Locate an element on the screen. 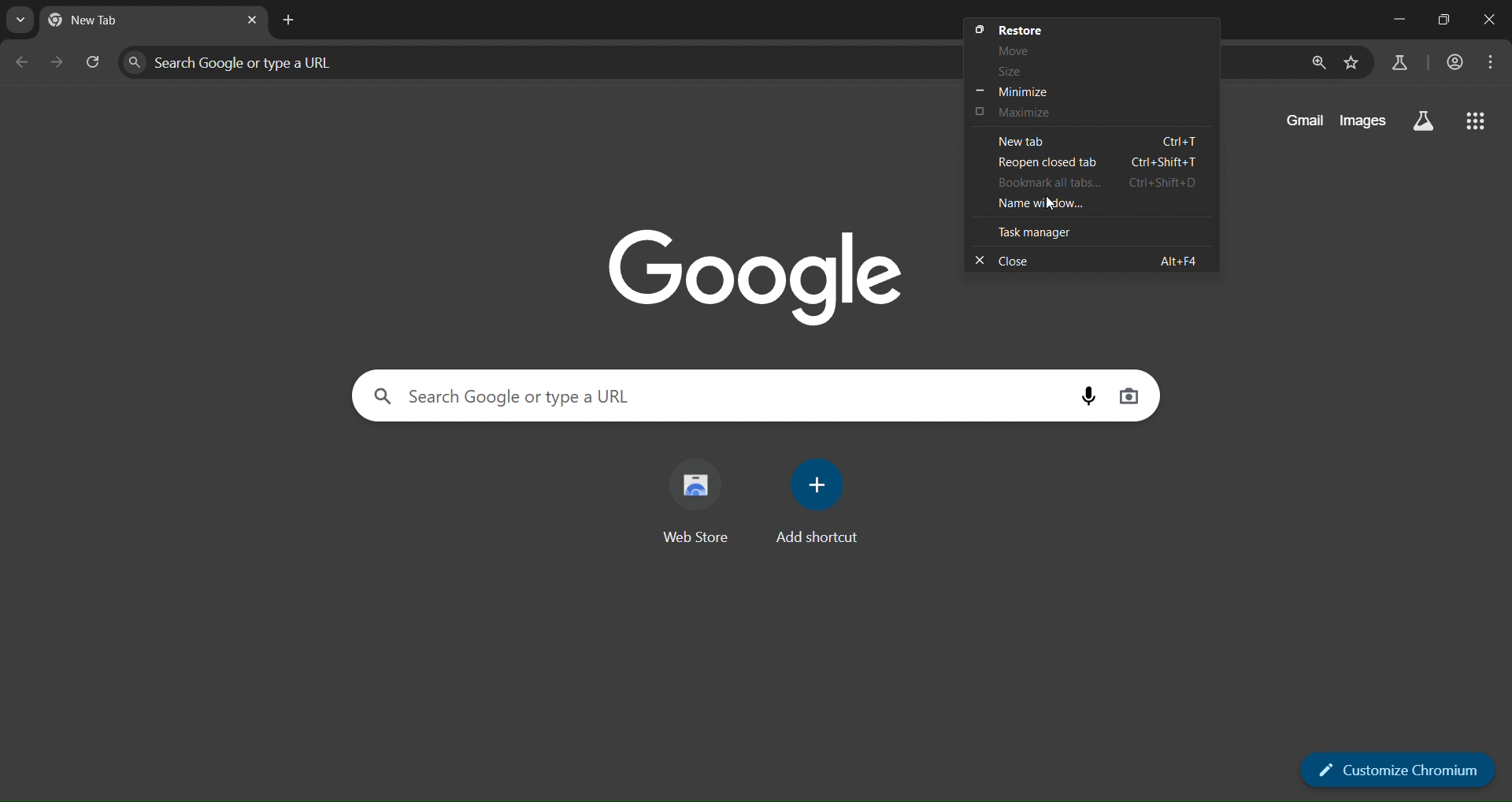 This screenshot has height=802, width=1512. zoom  is located at coordinates (1318, 63).